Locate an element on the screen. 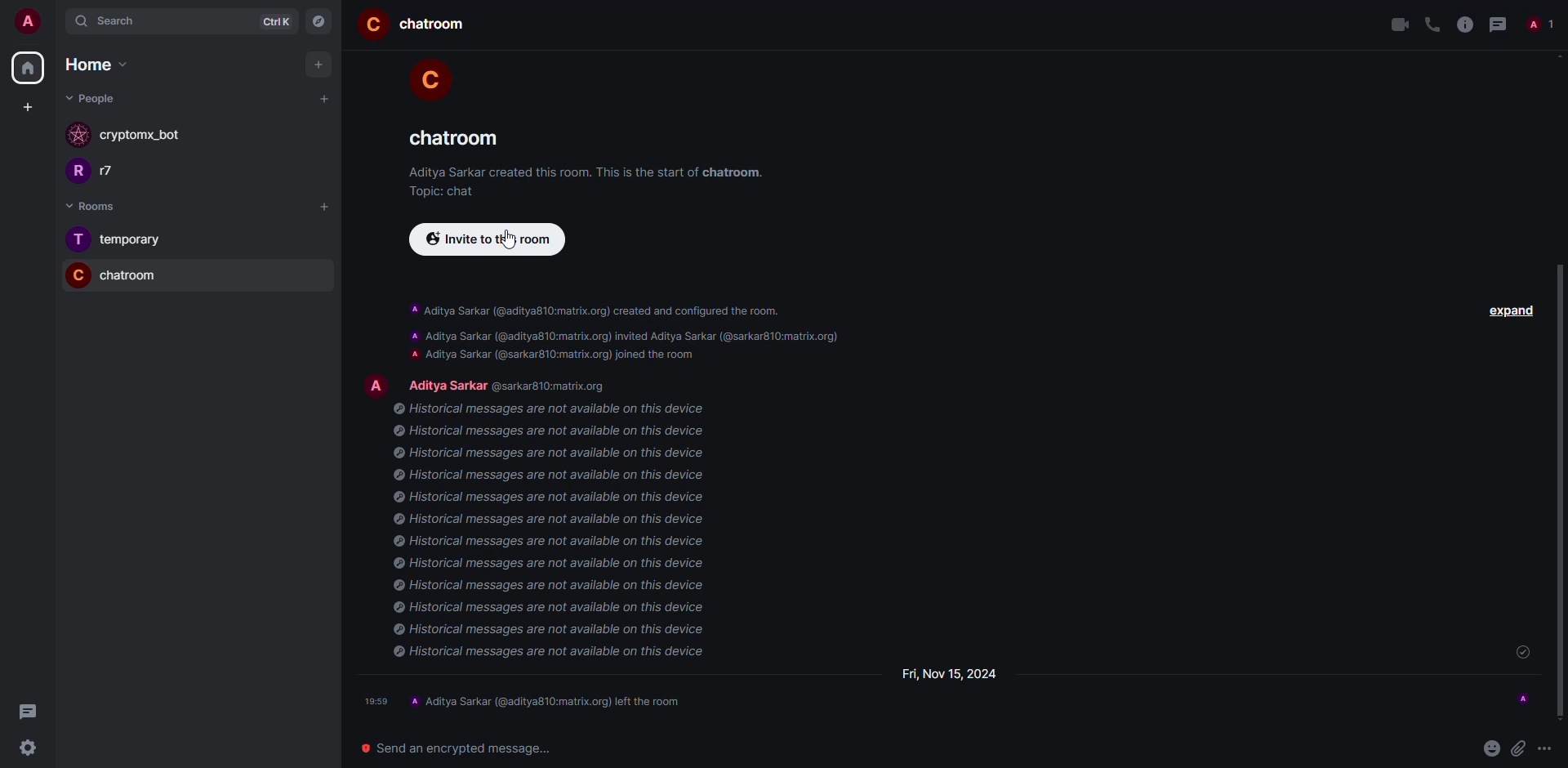  people is located at coordinates (93, 98).